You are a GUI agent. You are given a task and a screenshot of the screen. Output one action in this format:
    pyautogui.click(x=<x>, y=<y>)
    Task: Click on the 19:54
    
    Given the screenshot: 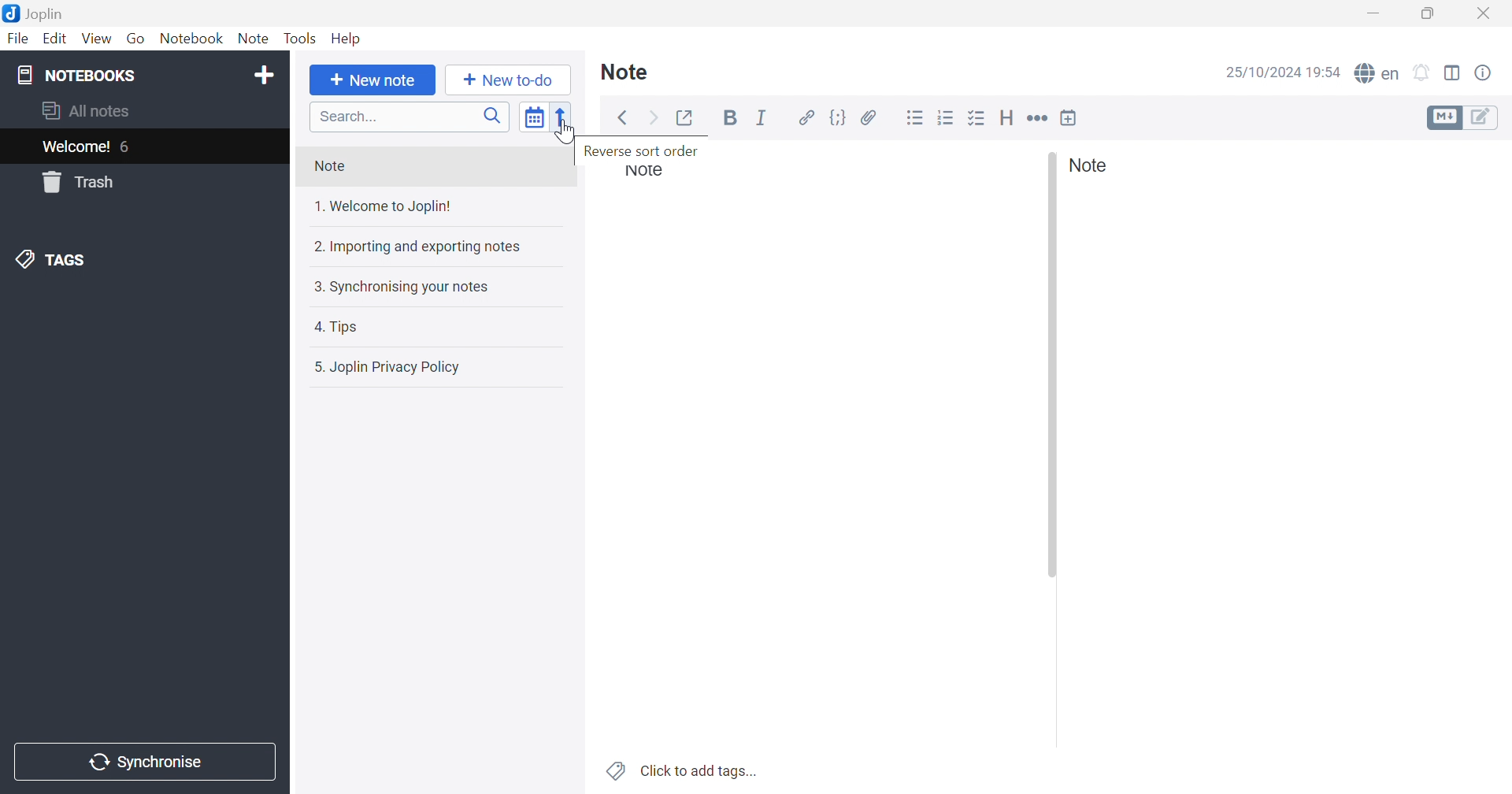 What is the action you would take?
    pyautogui.click(x=1327, y=74)
    